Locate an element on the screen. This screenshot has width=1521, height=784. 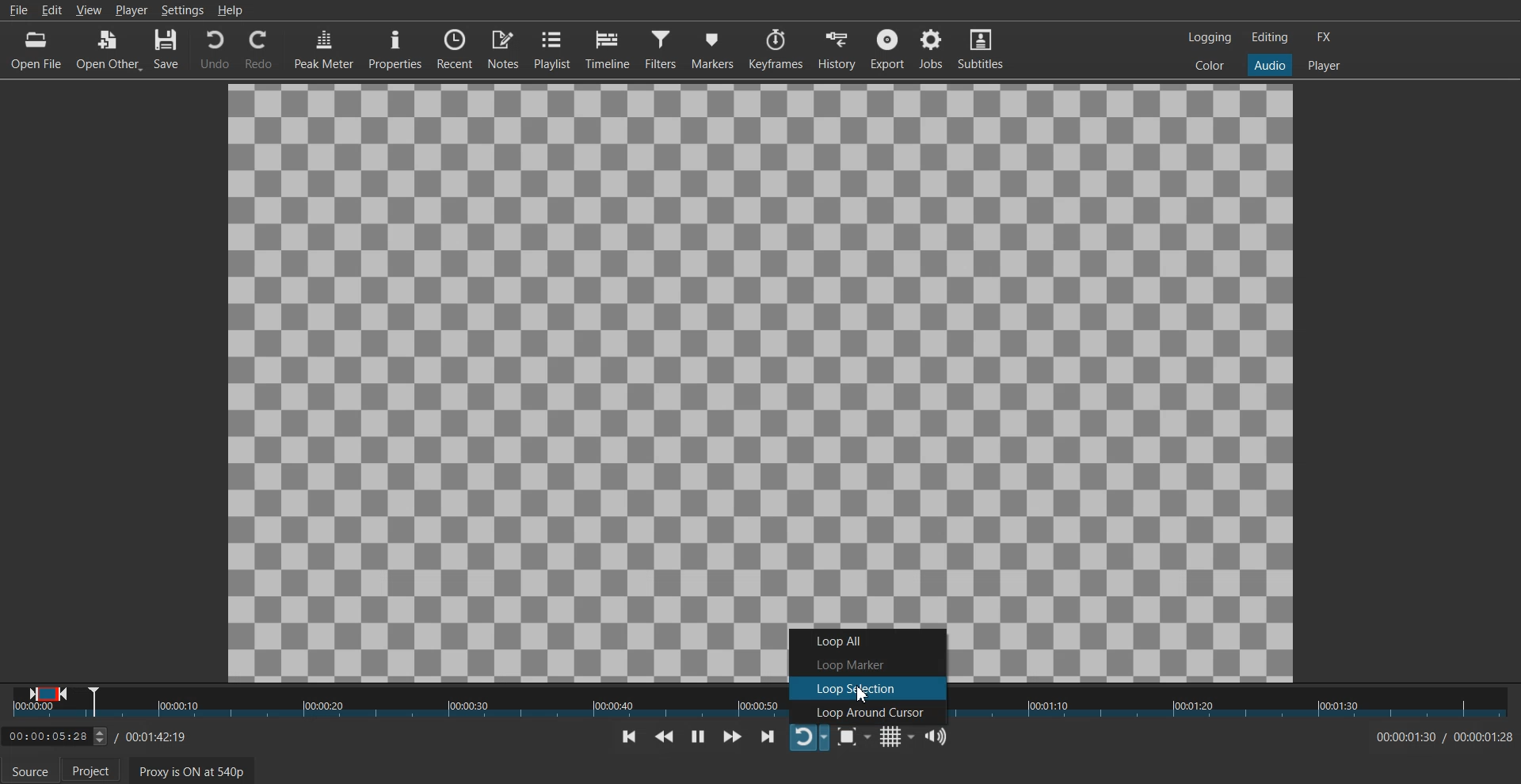
History is located at coordinates (839, 48).